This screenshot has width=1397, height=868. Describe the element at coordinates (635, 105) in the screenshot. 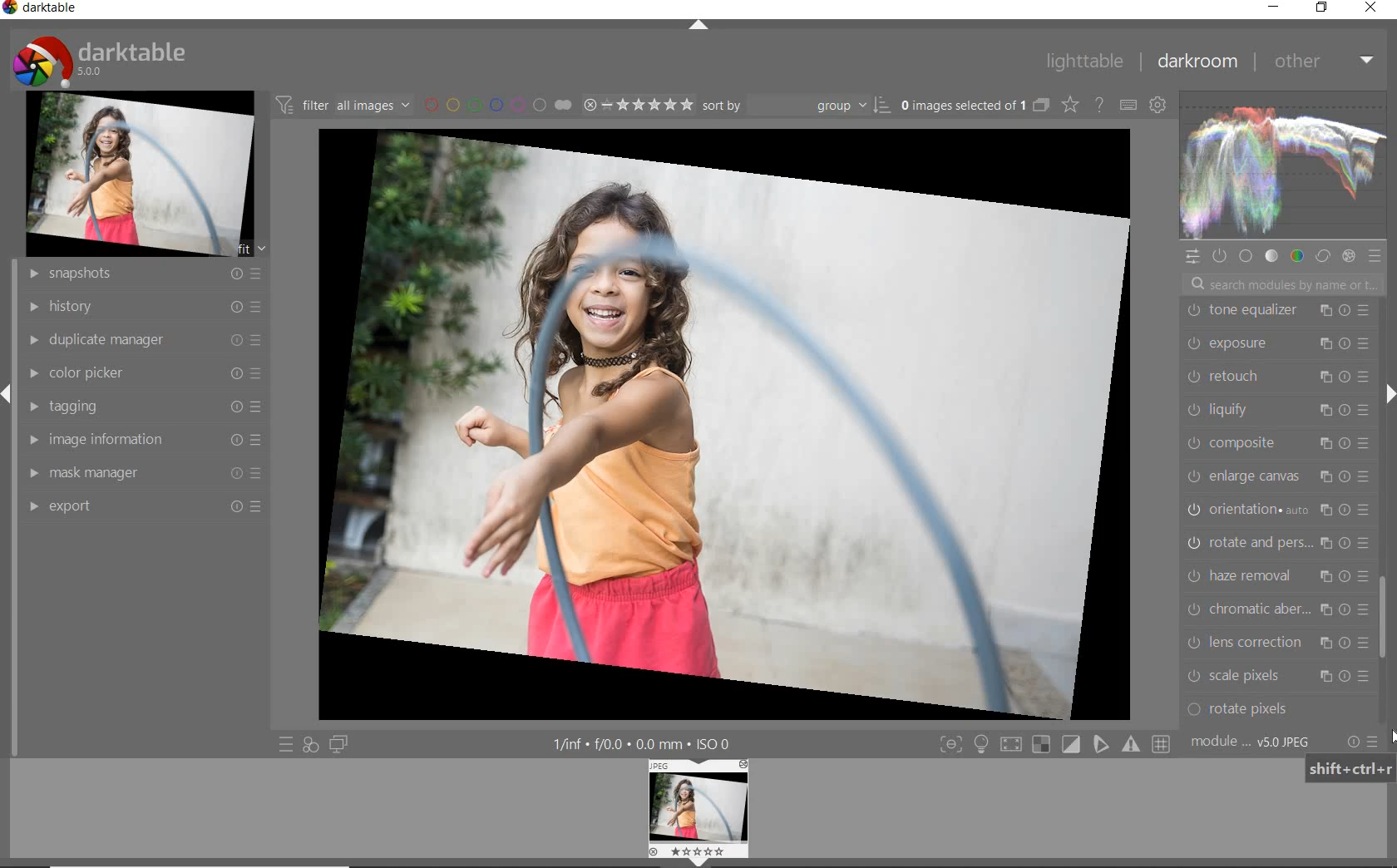

I see `selected image range rating` at that location.